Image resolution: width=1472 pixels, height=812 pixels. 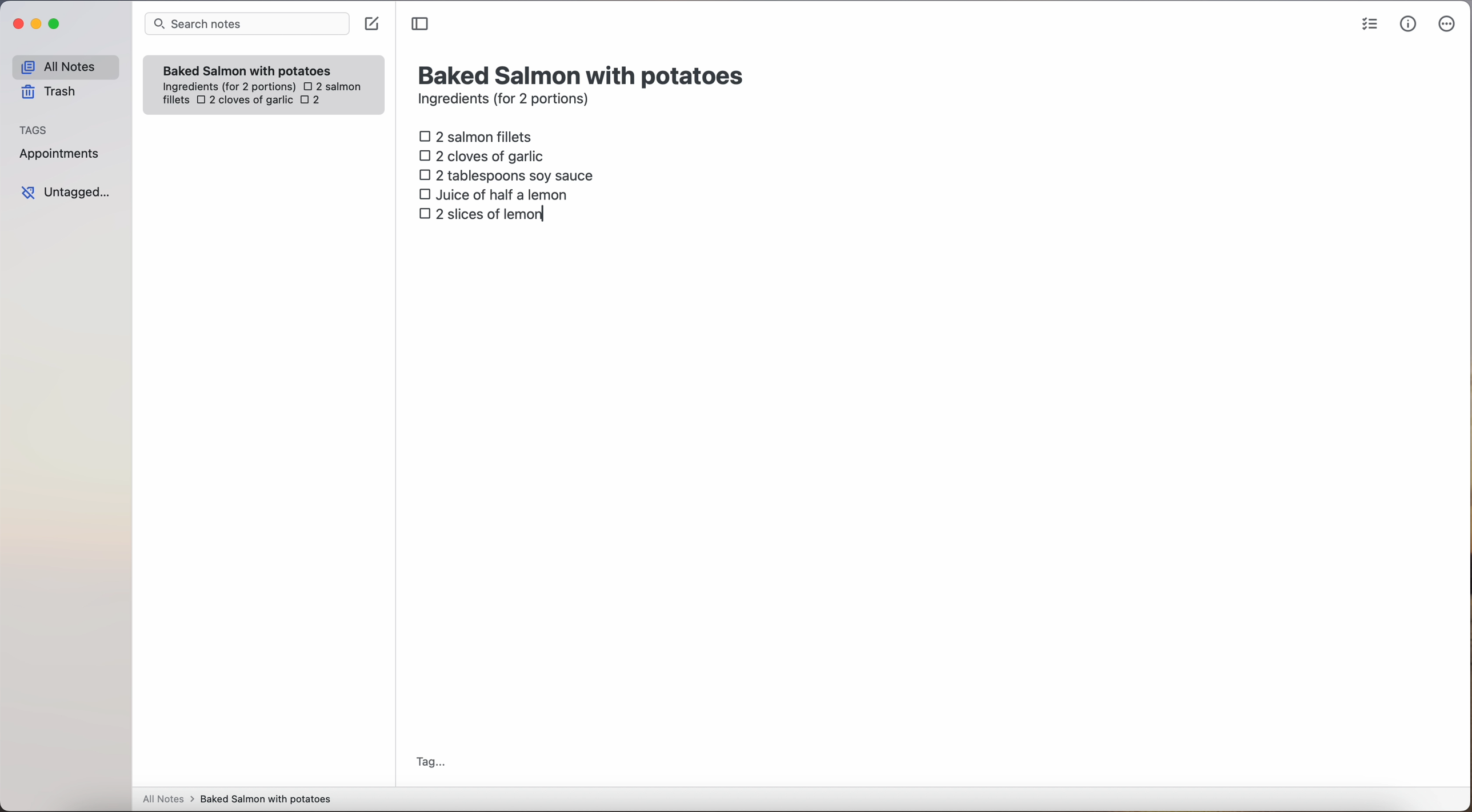 I want to click on tags, so click(x=34, y=129).